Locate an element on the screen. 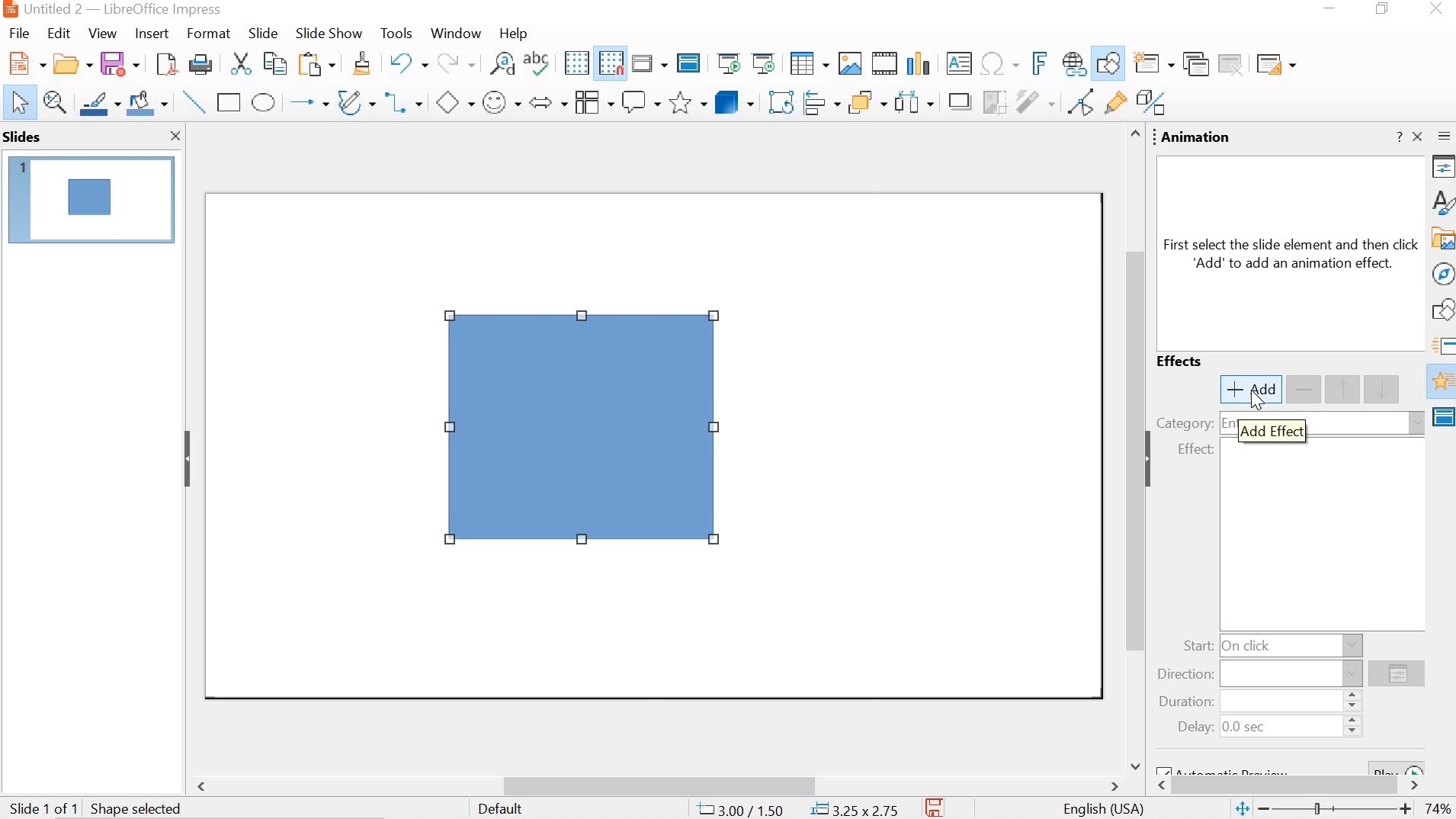 The height and width of the screenshot is (819, 1456). fill color is located at coordinates (146, 101).